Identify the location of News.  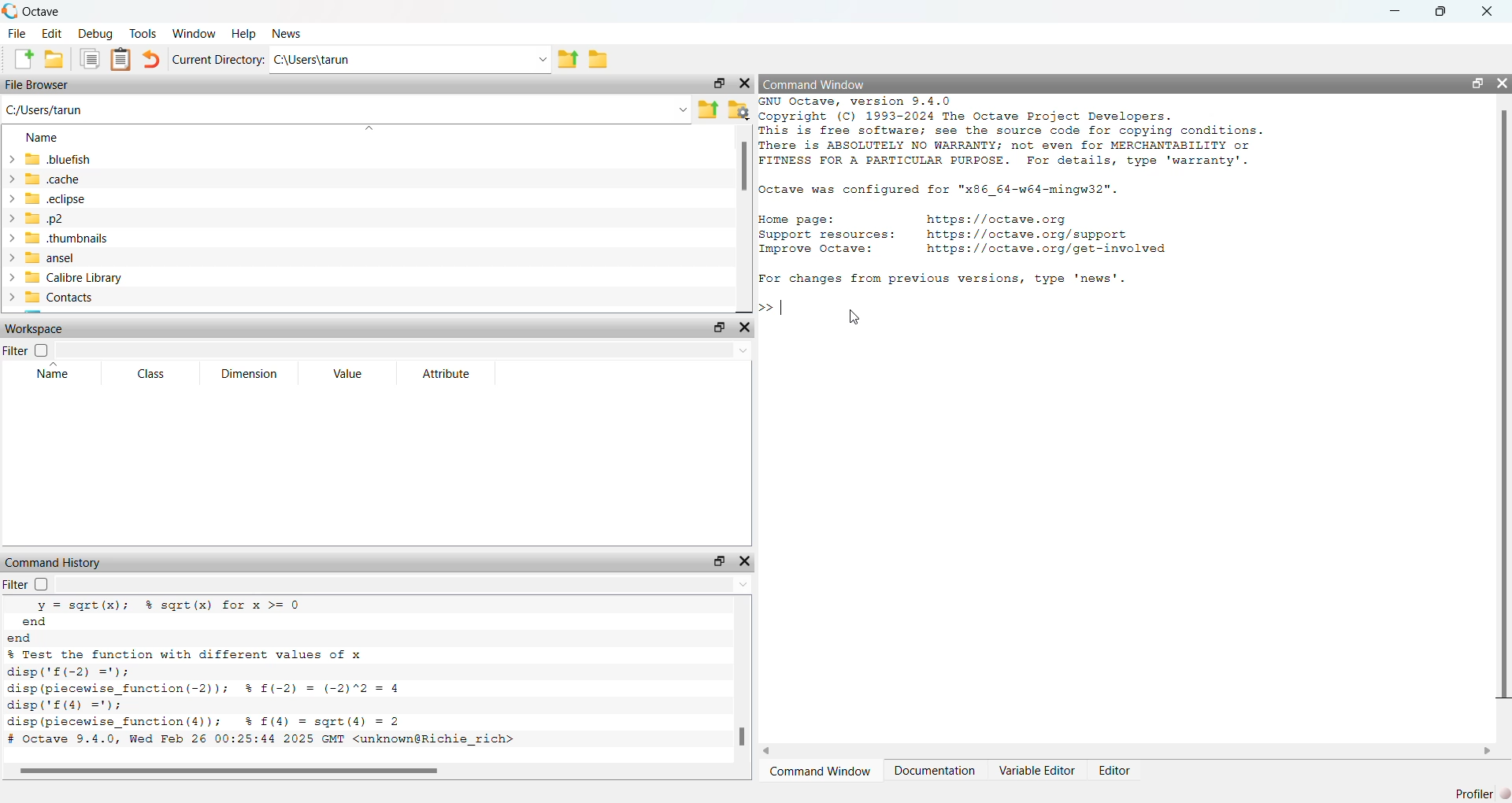
(282, 35).